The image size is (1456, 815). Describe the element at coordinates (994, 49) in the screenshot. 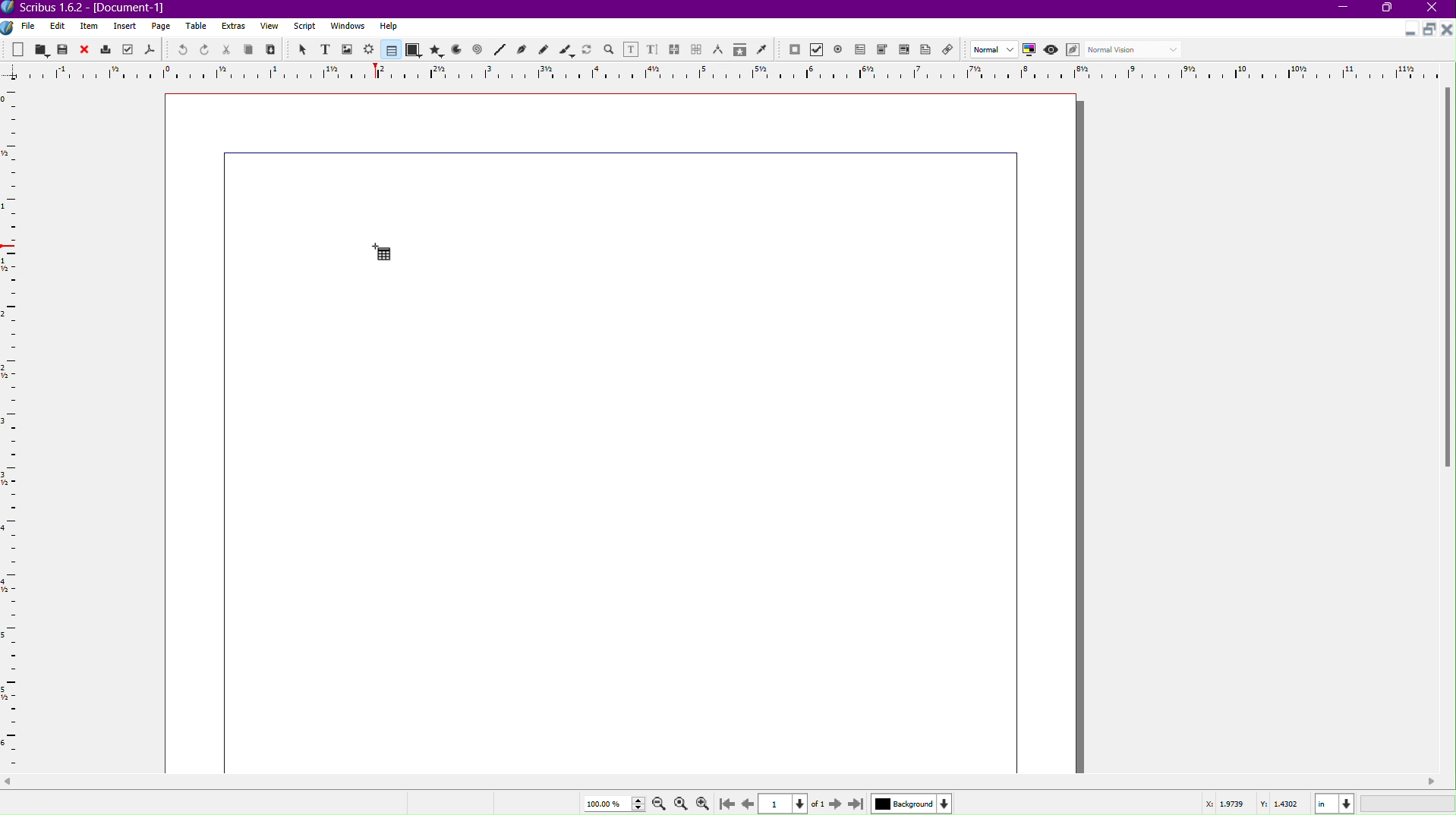

I see `Image Preview Quality` at that location.